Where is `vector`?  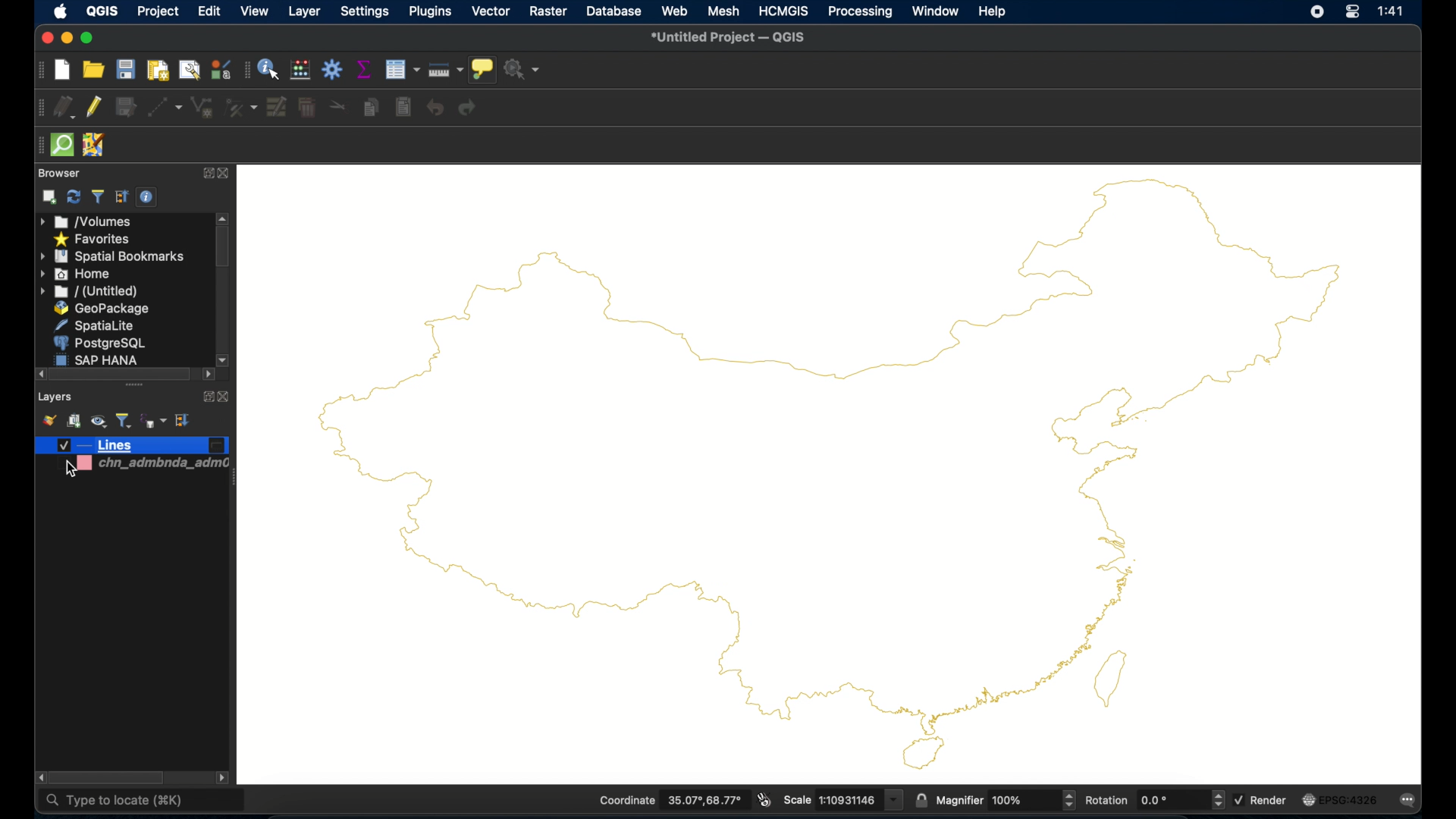 vector is located at coordinates (491, 12).